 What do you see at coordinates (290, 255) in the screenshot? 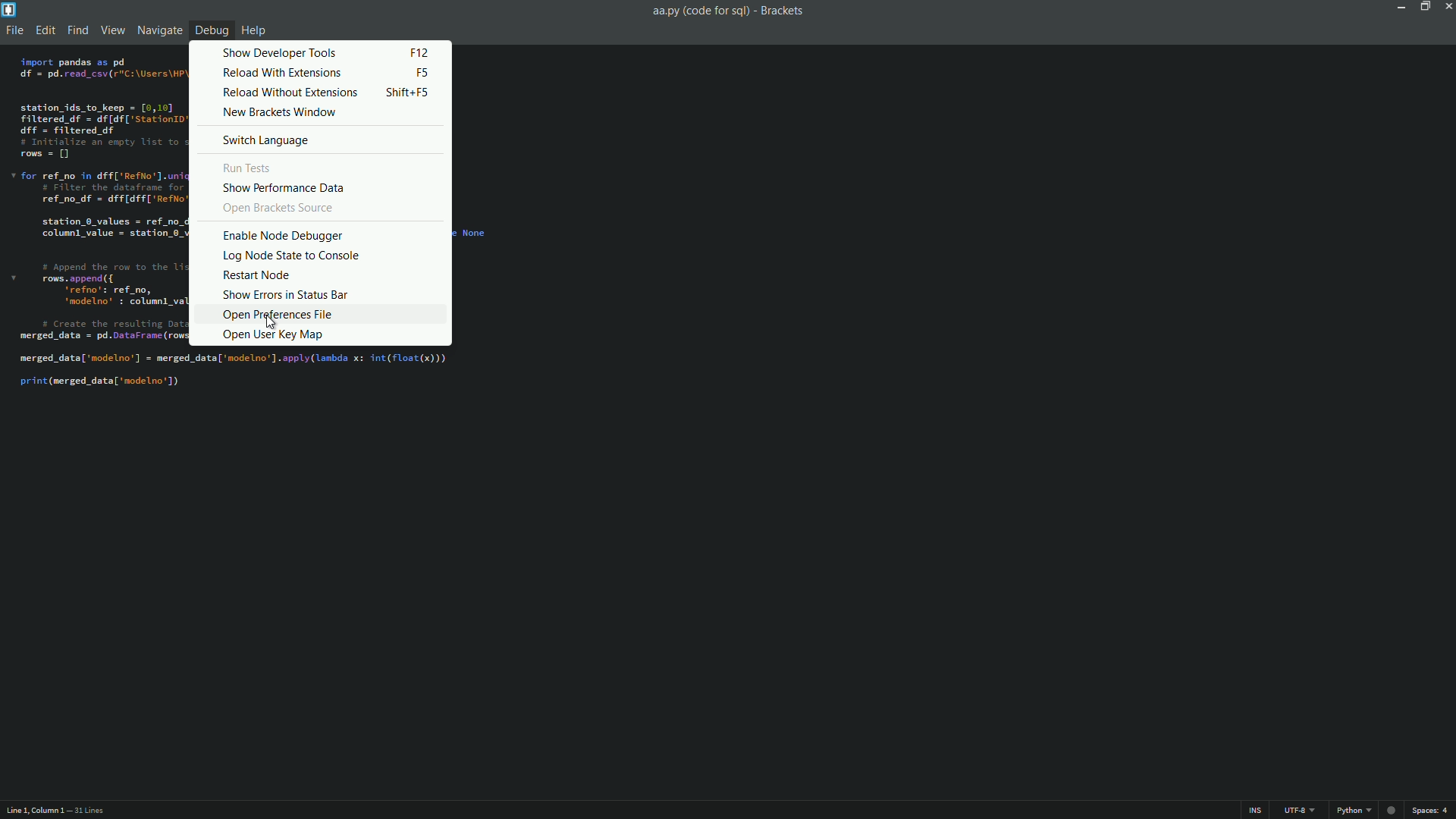
I see `log node state to console` at bounding box center [290, 255].